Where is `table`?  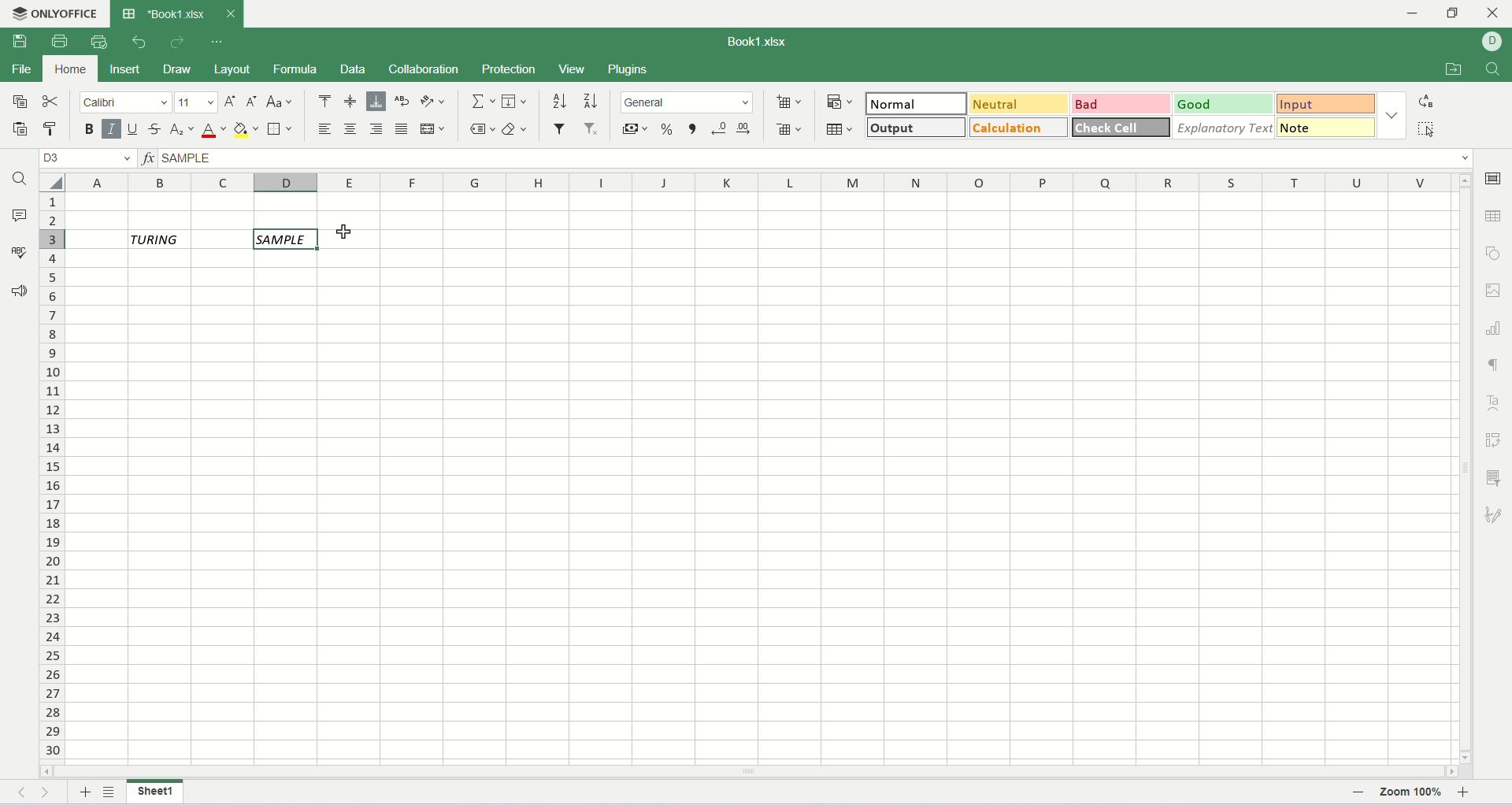 table is located at coordinates (841, 128).